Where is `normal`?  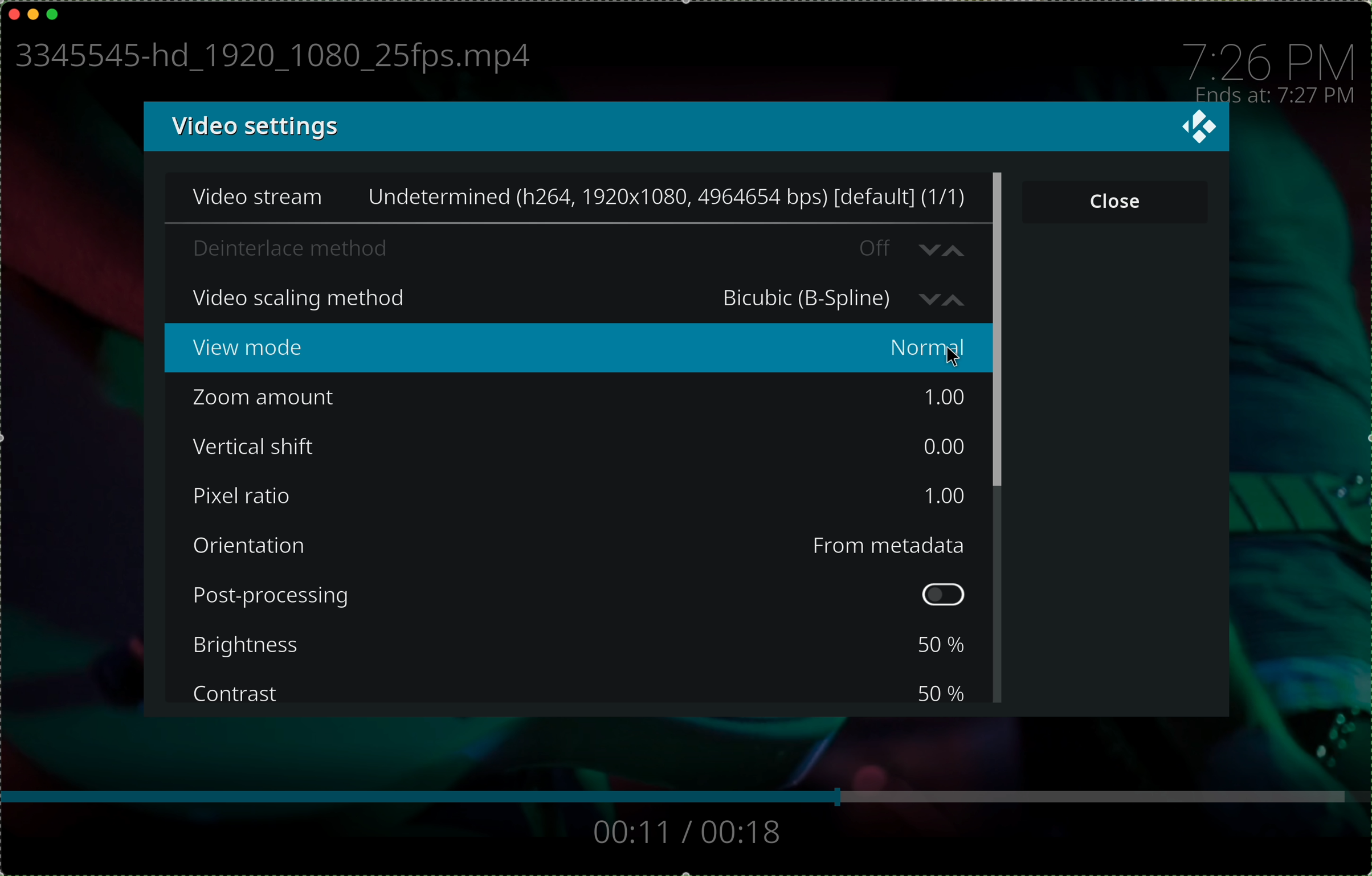 normal is located at coordinates (927, 347).